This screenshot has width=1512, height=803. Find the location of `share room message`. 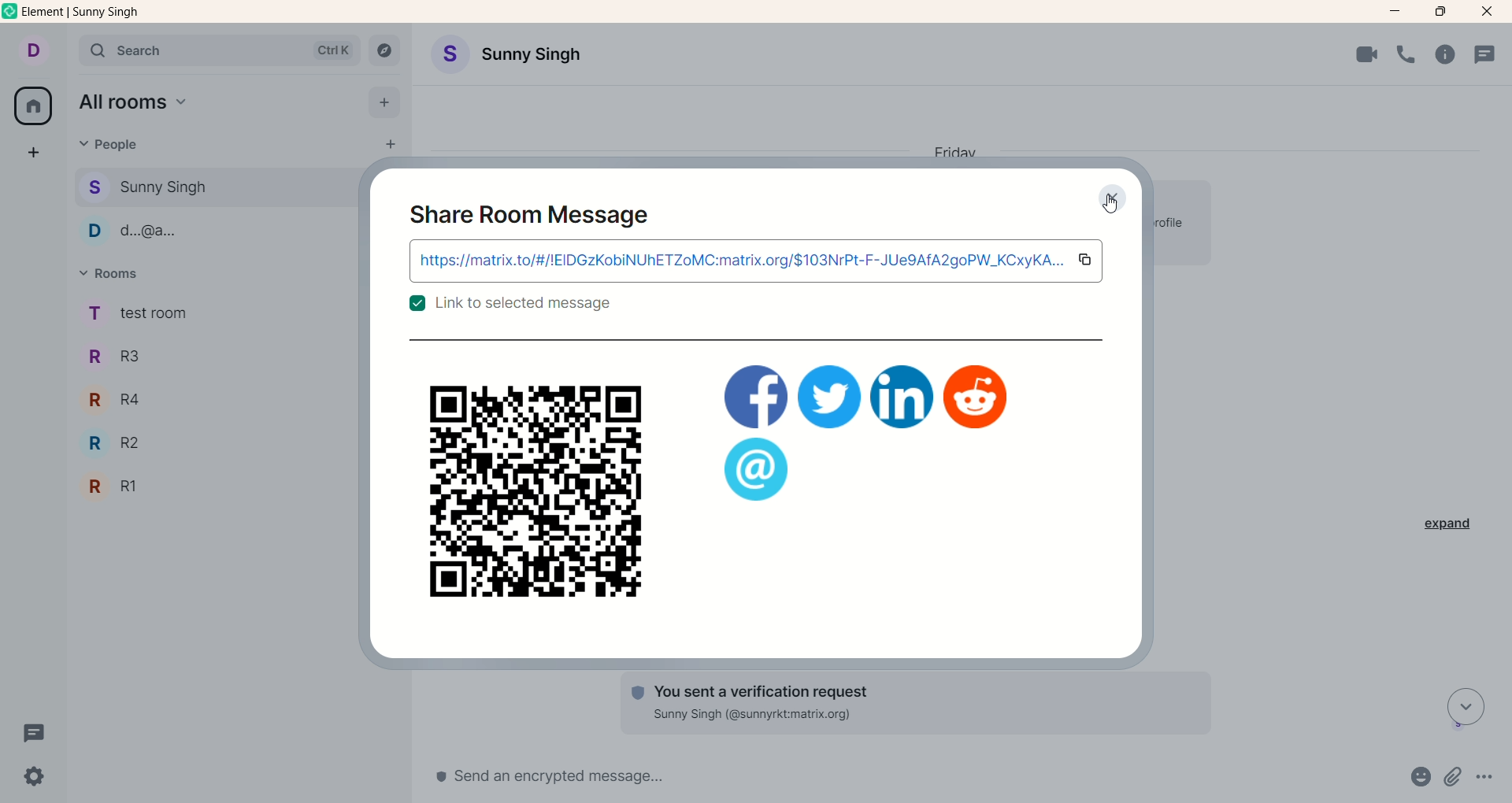

share room message is located at coordinates (537, 220).